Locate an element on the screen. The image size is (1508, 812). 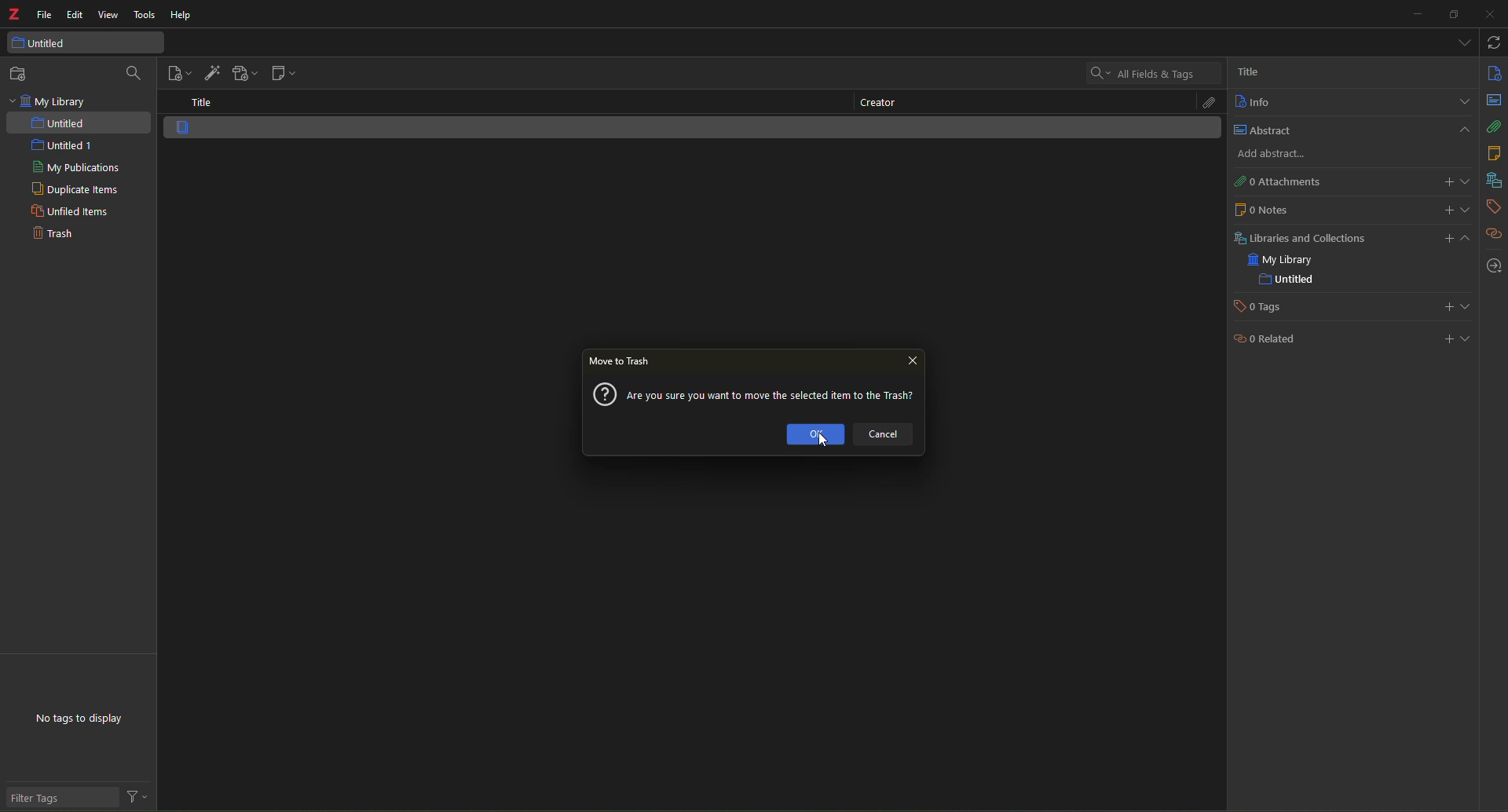
ok is located at coordinates (817, 434).